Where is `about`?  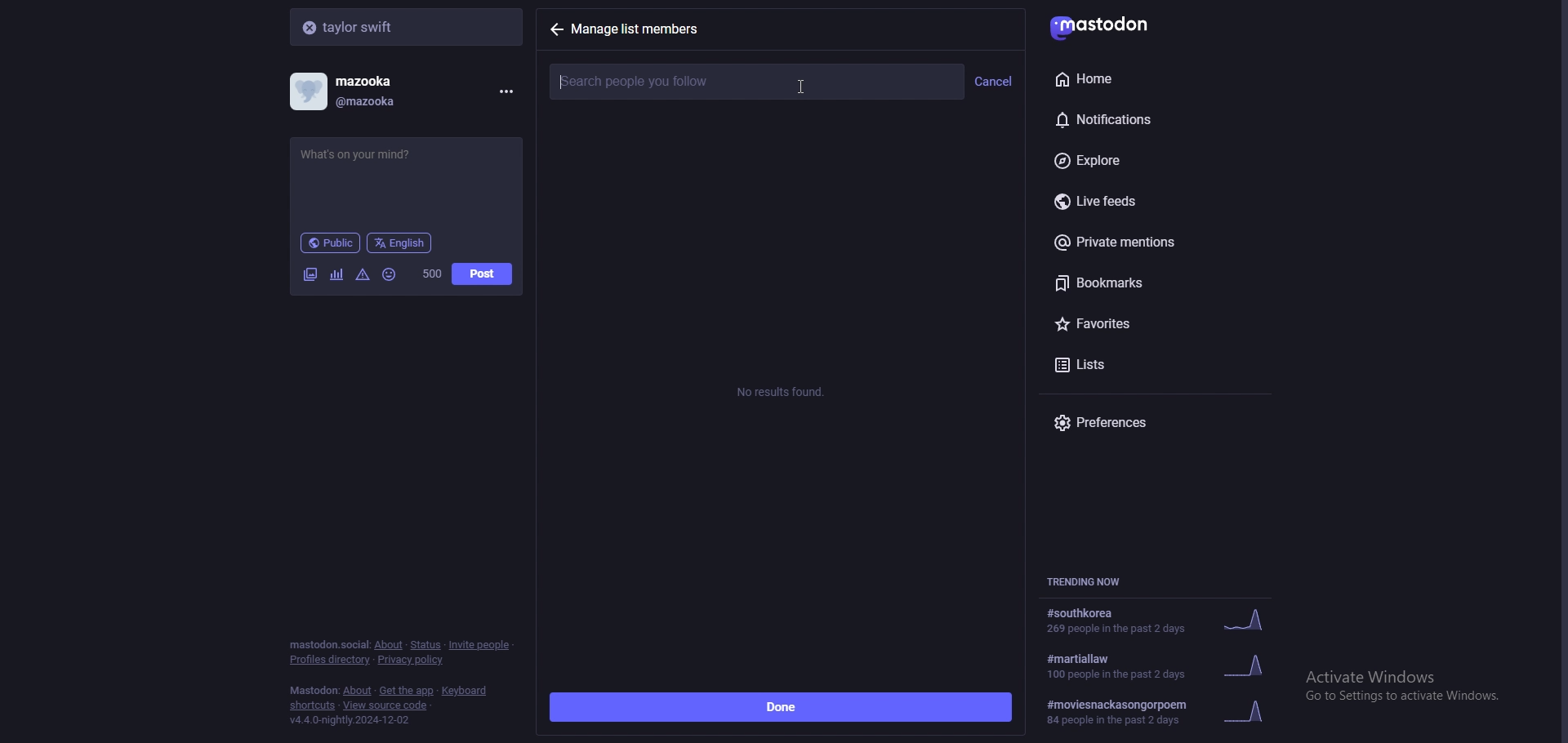 about is located at coordinates (388, 645).